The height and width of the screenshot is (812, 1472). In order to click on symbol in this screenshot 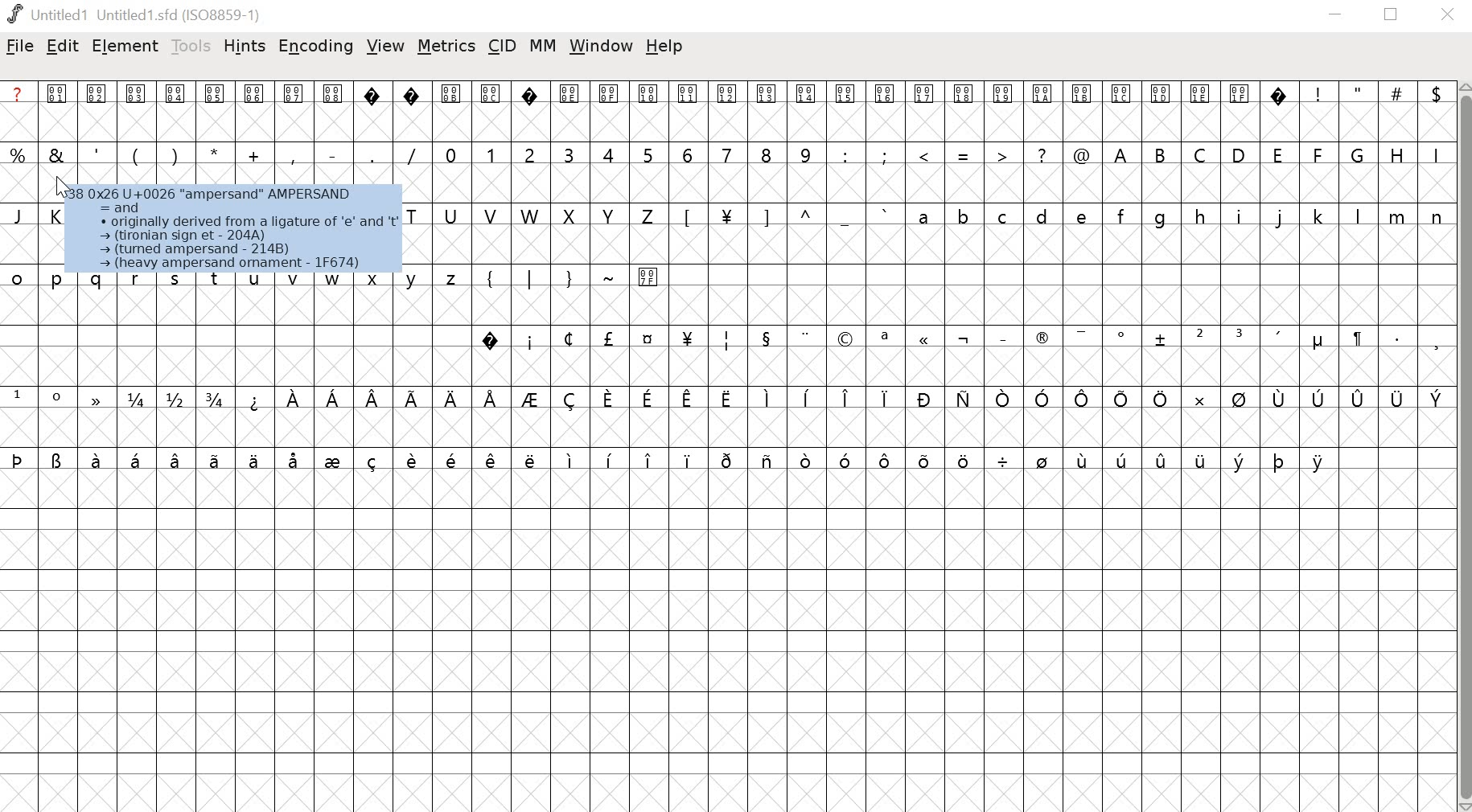, I will do `click(1321, 461)`.